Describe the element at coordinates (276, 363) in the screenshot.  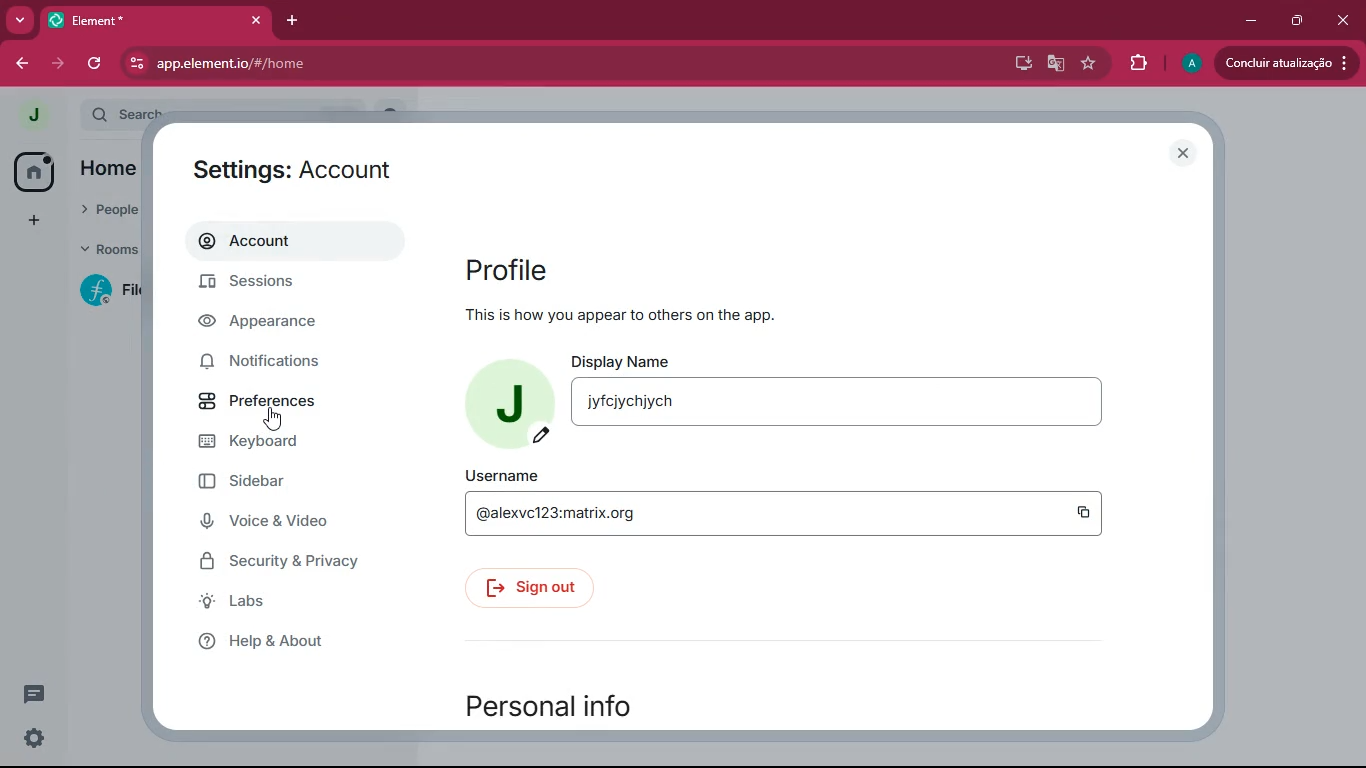
I see `notifications` at that location.